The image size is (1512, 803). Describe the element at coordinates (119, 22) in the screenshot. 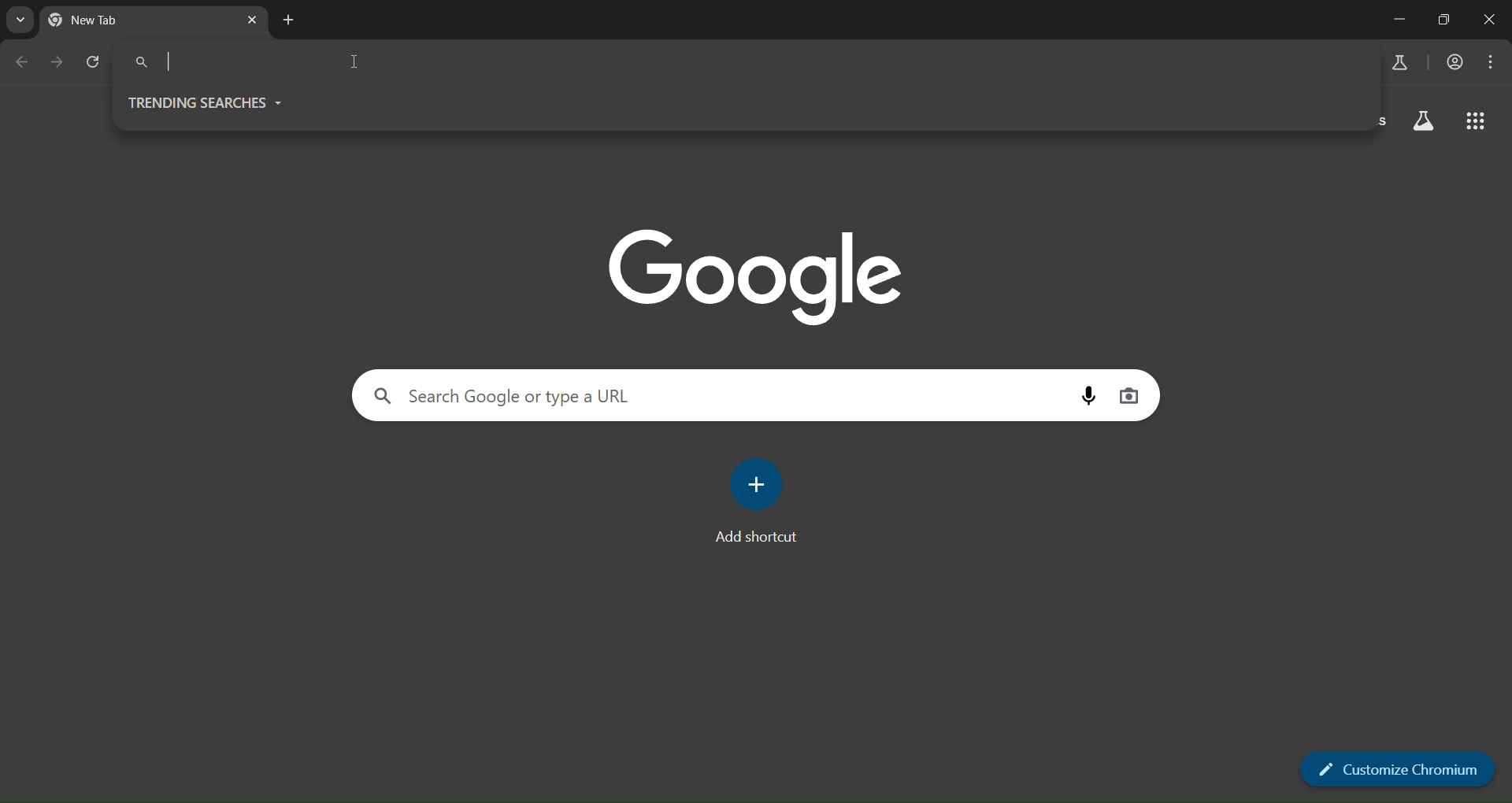

I see `New Tab` at that location.